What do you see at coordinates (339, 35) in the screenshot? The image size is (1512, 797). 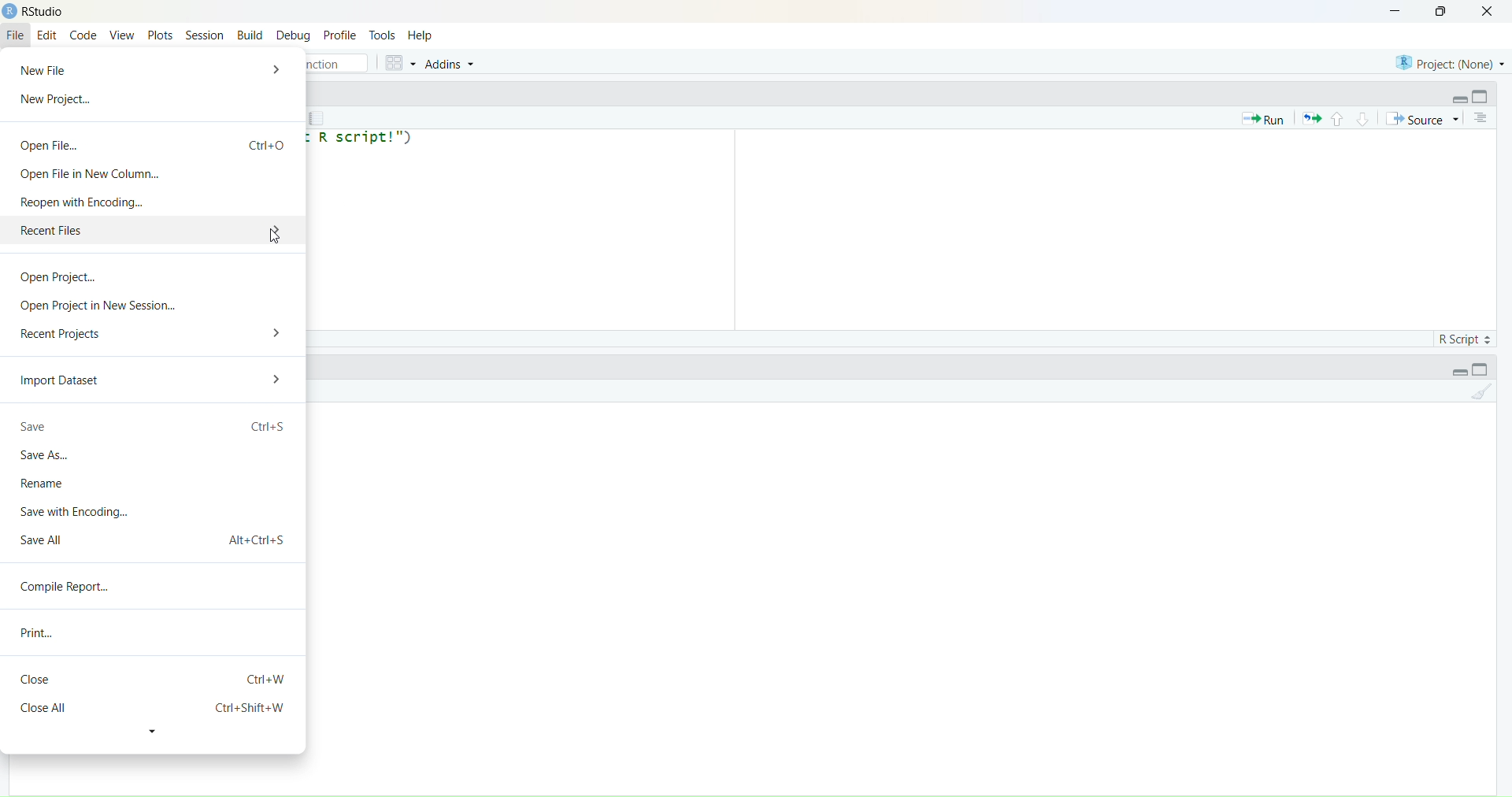 I see `Profile` at bounding box center [339, 35].